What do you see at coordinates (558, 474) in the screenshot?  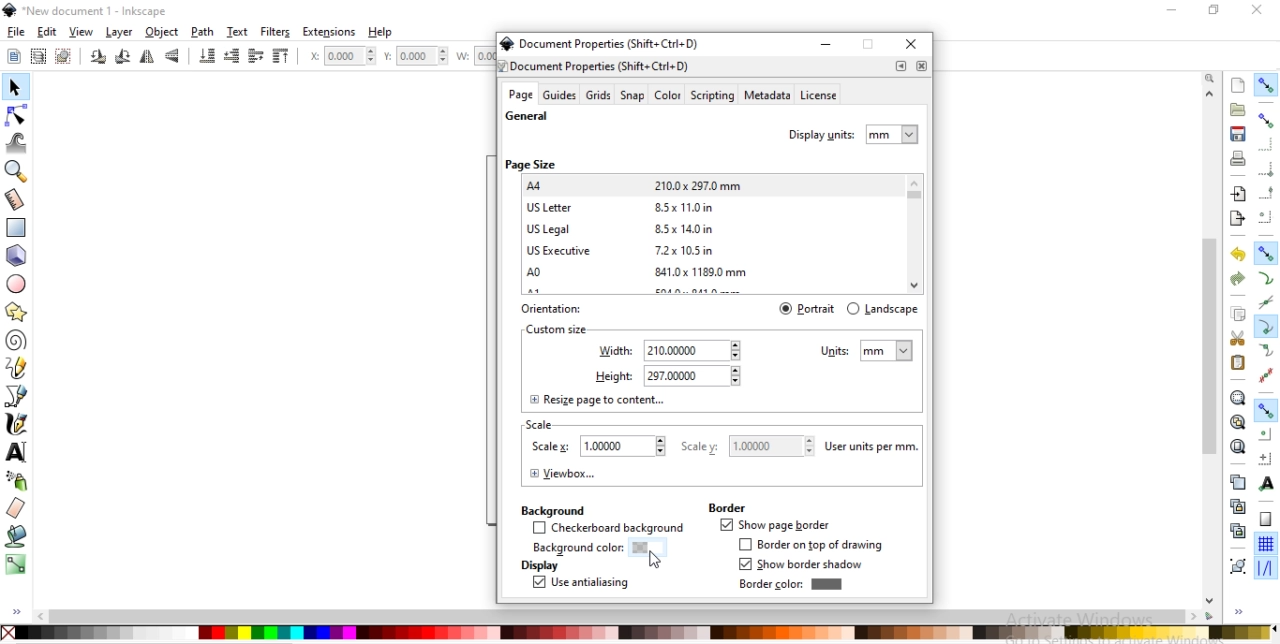 I see `viewbox` at bounding box center [558, 474].